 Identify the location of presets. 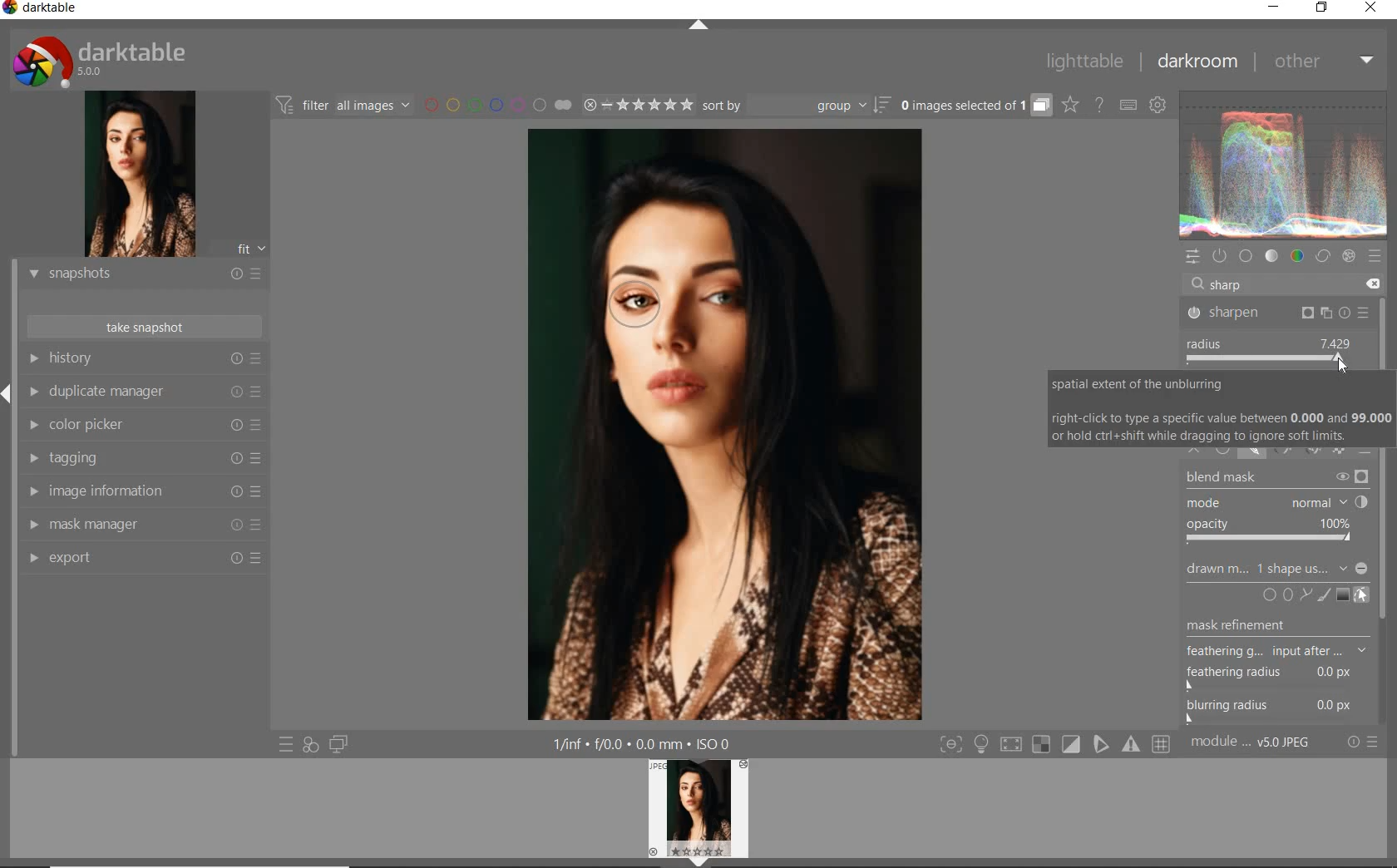
(1377, 258).